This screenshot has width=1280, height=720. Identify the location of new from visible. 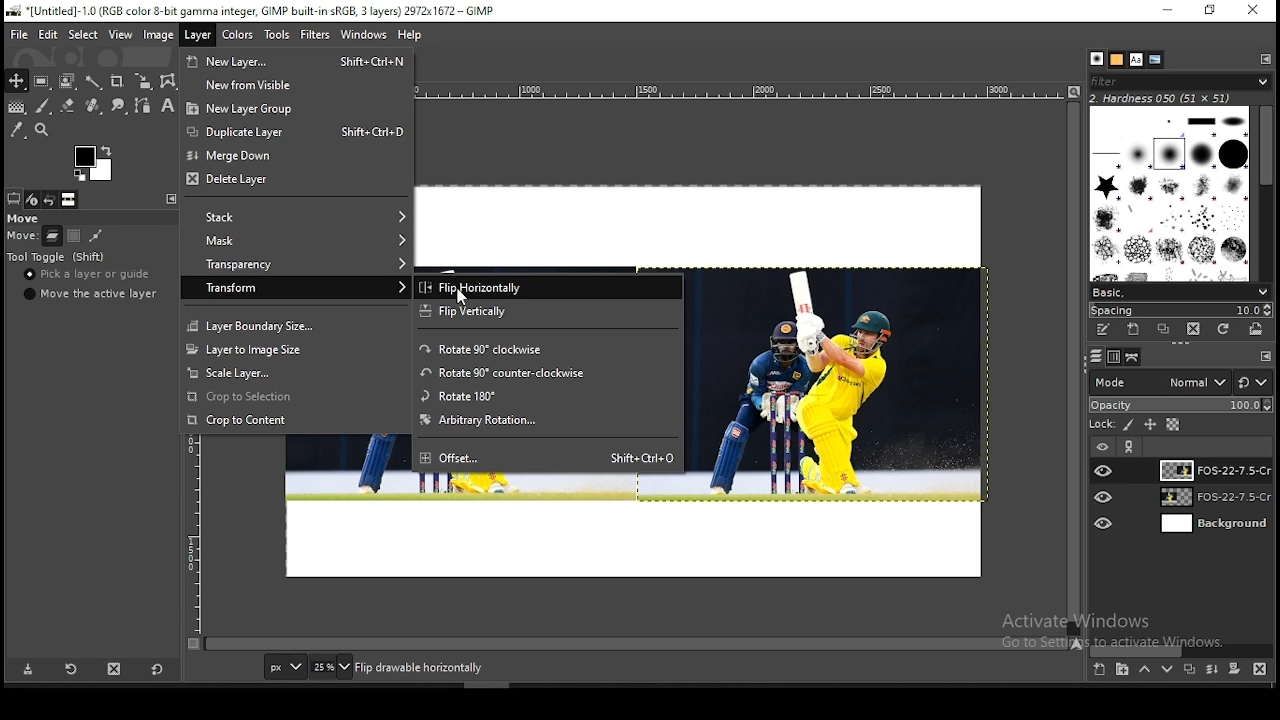
(299, 84).